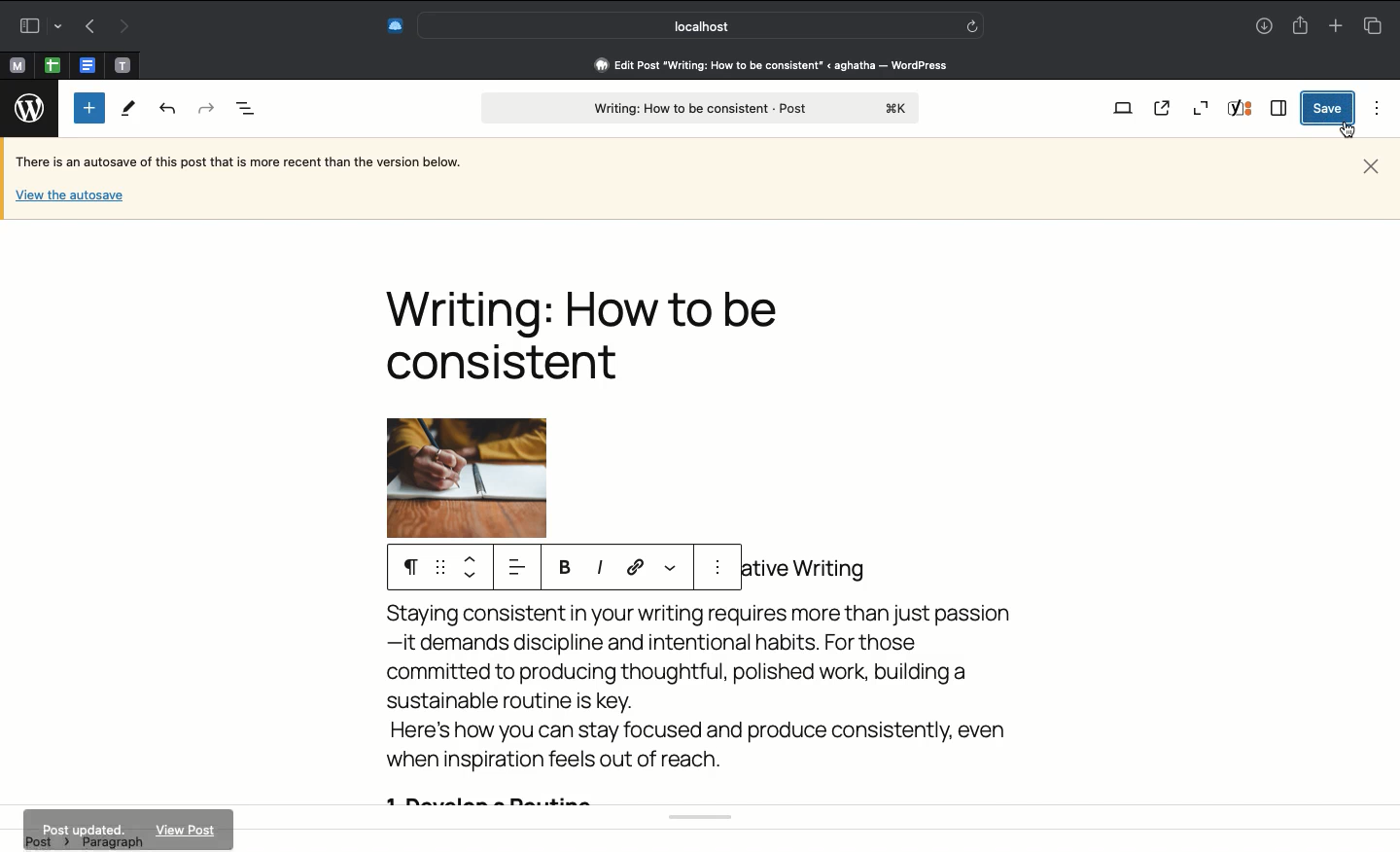 The width and height of the screenshot is (1400, 852). I want to click on Share, so click(1303, 26).